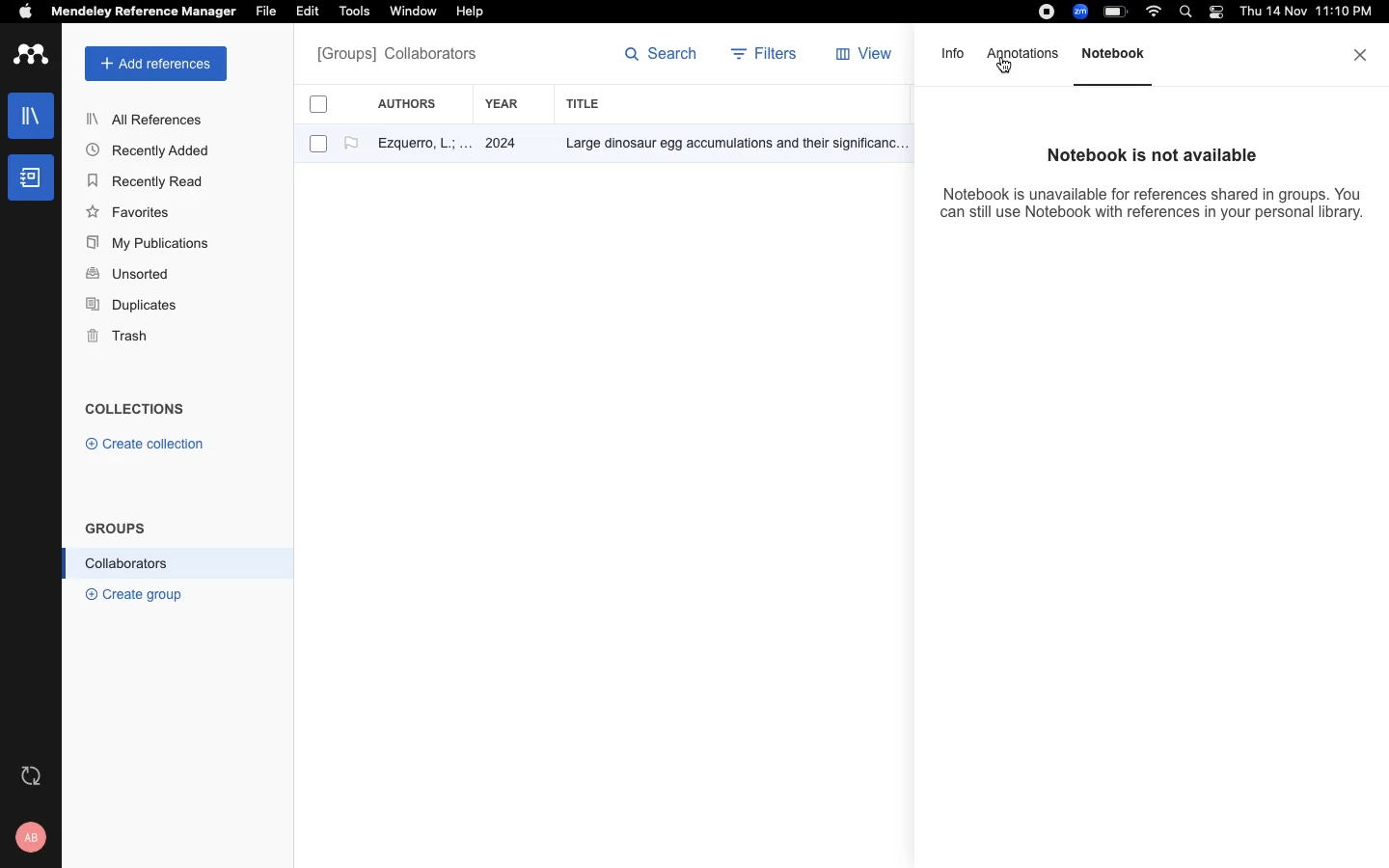 The width and height of the screenshot is (1389, 868). What do you see at coordinates (1083, 12) in the screenshot?
I see `zoom` at bounding box center [1083, 12].